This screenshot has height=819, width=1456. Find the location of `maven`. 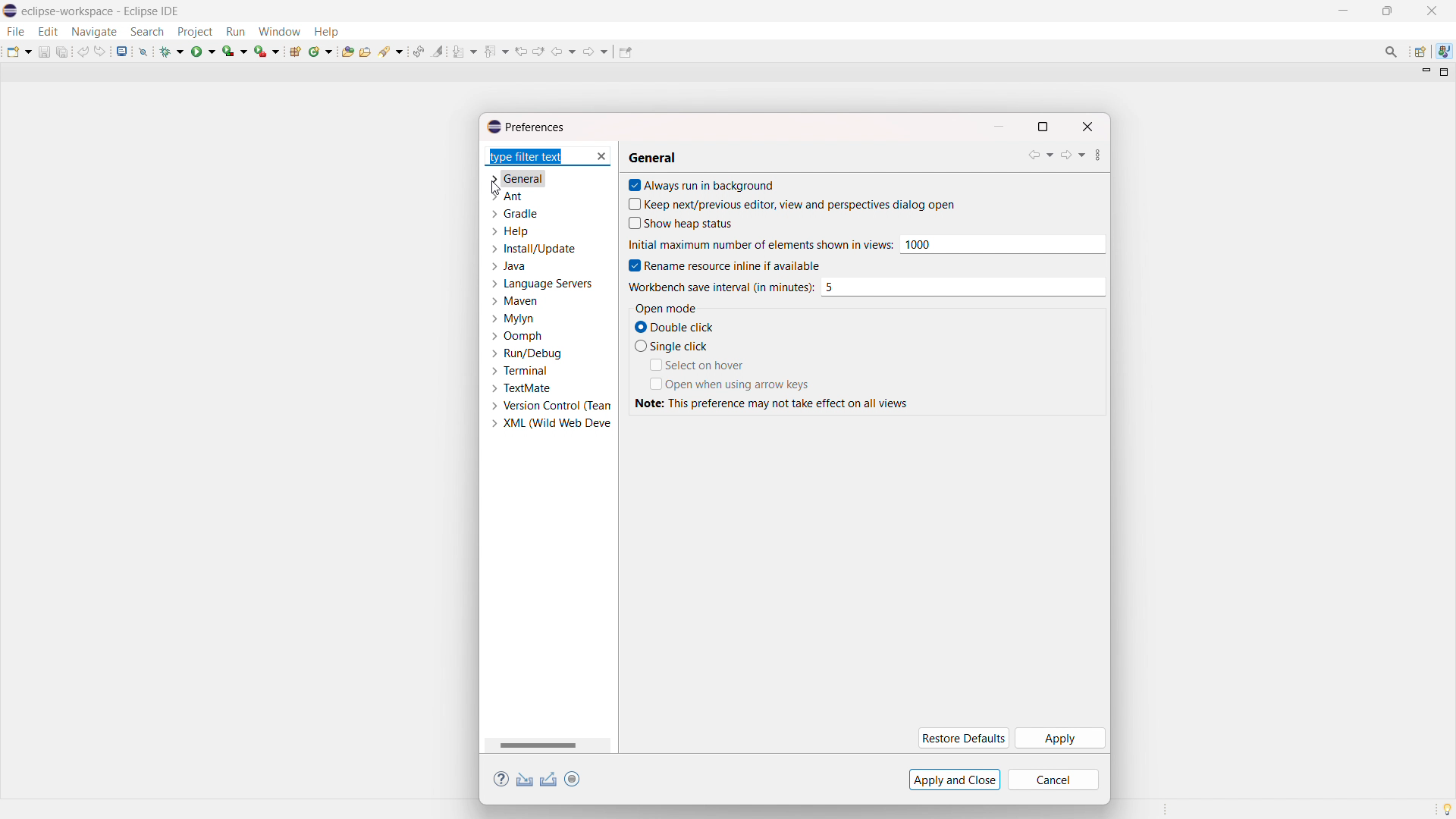

maven is located at coordinates (514, 301).